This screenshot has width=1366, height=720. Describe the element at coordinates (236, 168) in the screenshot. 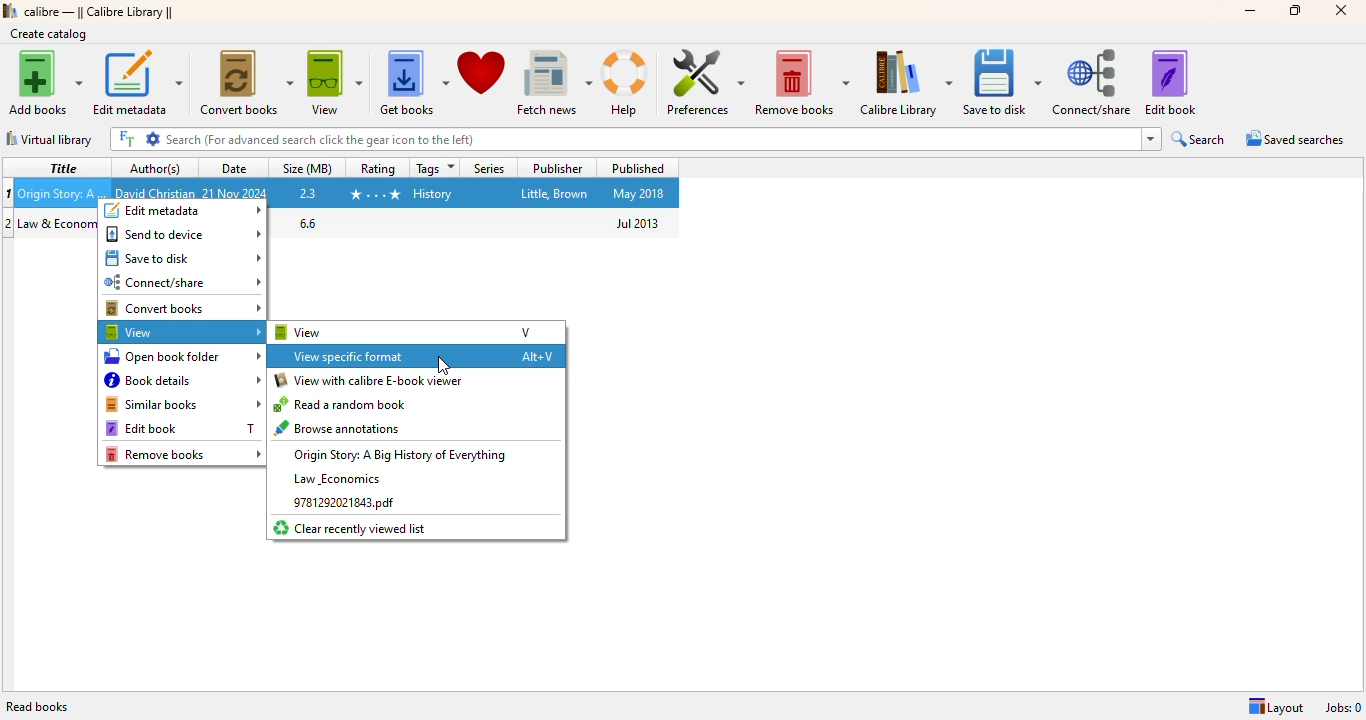

I see `date` at that location.